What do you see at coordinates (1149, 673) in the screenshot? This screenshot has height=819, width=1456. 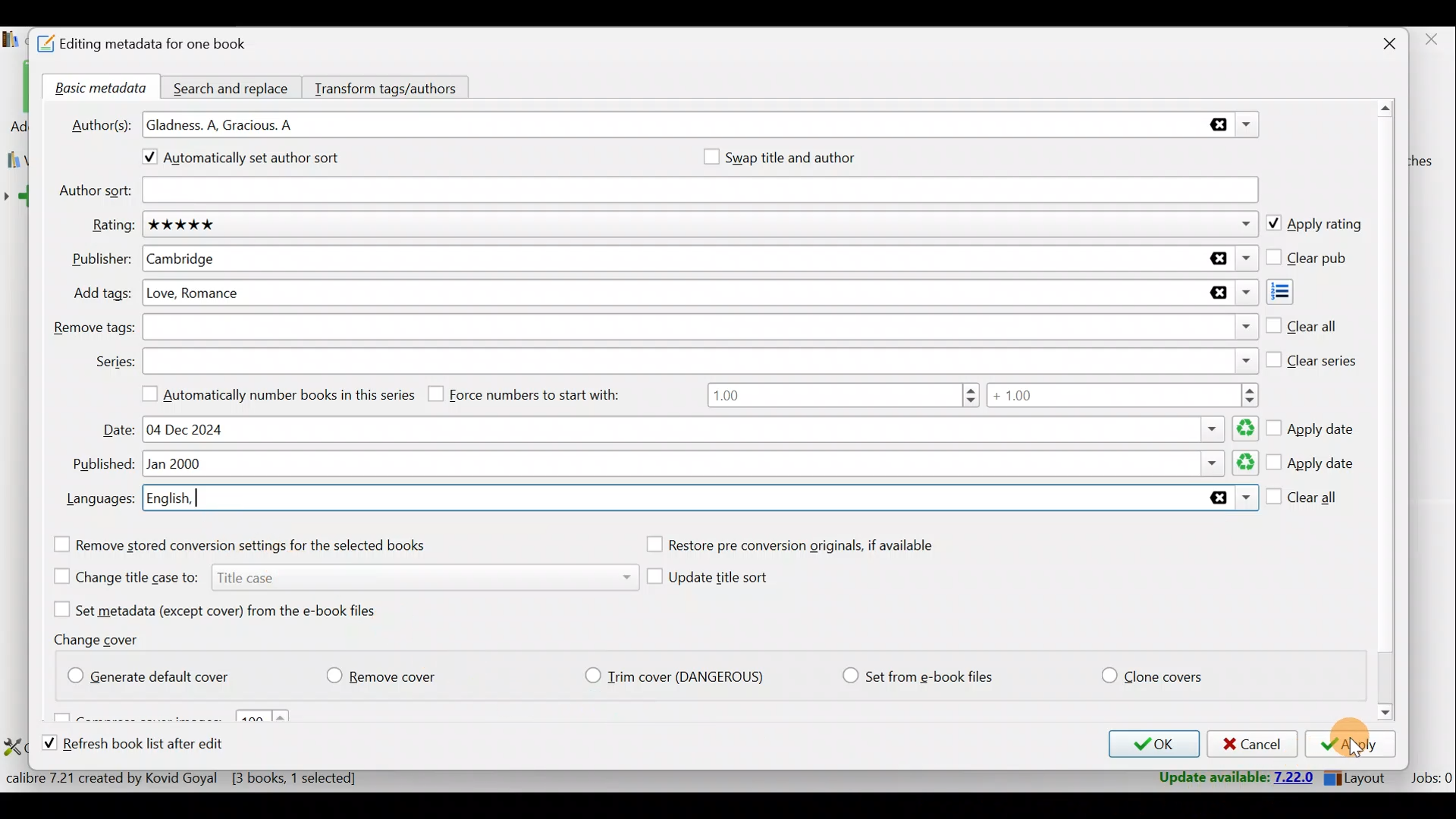 I see `Clone covers` at bounding box center [1149, 673].